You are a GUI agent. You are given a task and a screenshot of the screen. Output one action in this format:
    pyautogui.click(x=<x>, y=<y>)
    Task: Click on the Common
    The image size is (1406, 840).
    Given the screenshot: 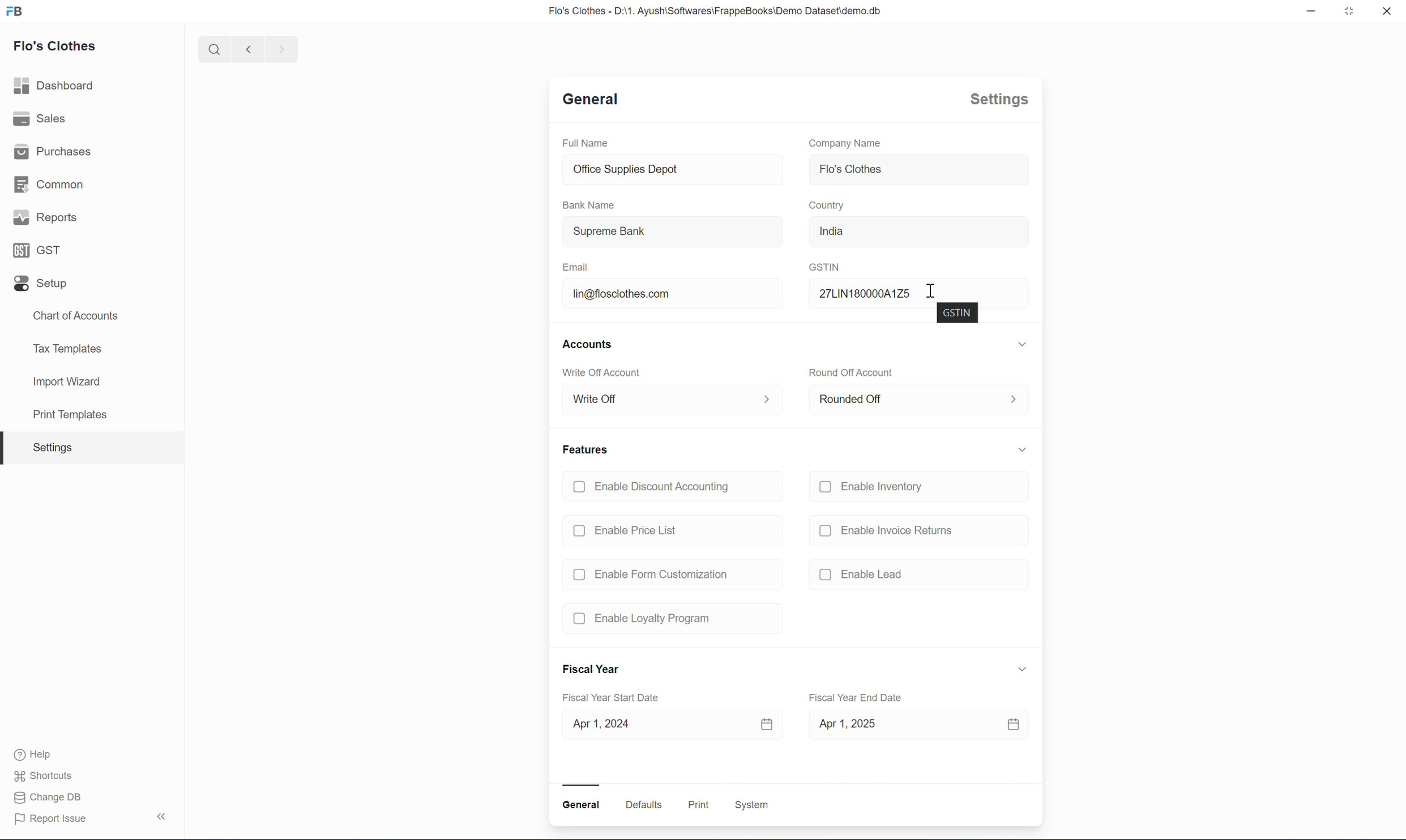 What is the action you would take?
    pyautogui.click(x=49, y=184)
    